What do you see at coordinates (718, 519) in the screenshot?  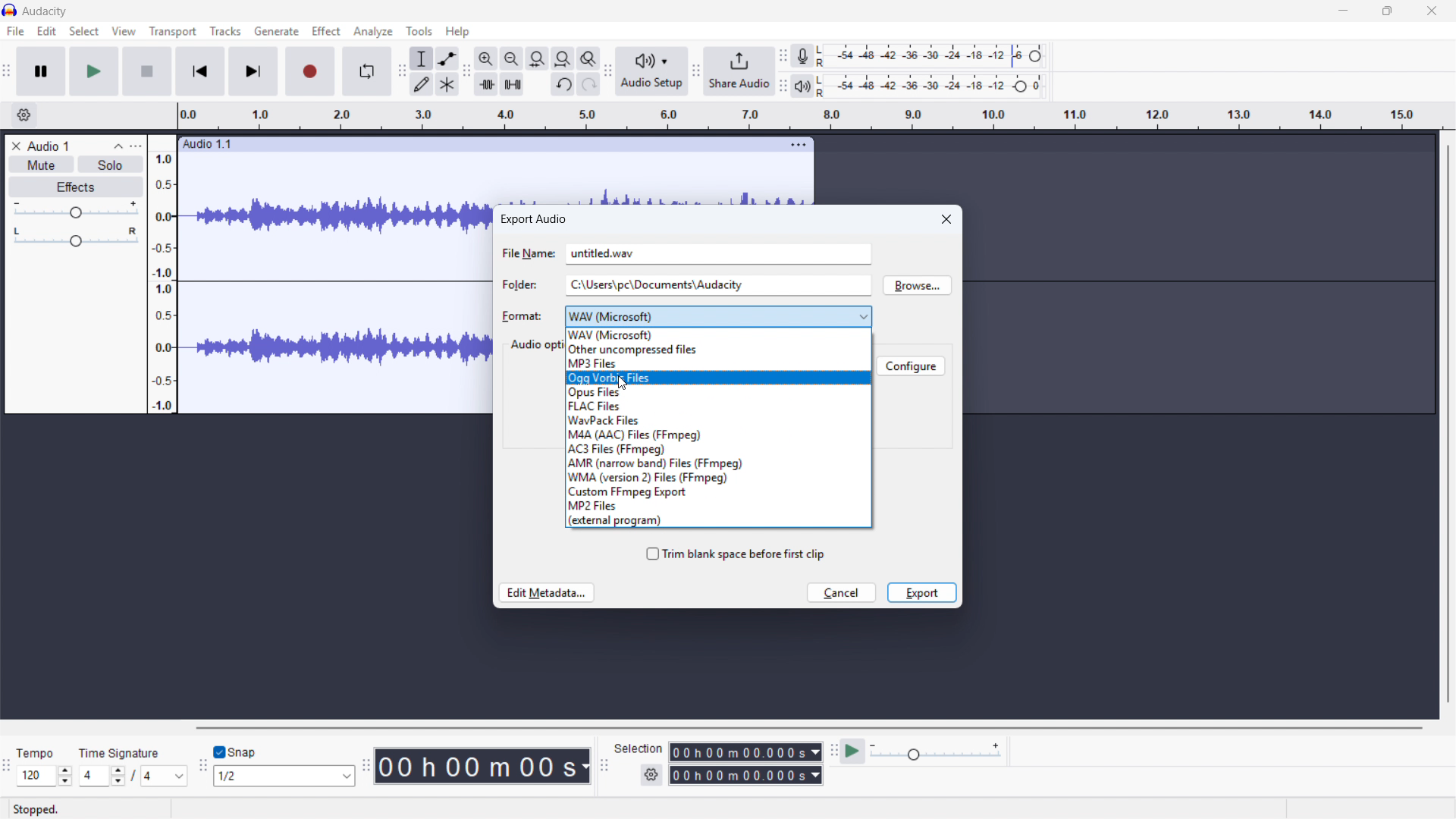 I see `External program ` at bounding box center [718, 519].